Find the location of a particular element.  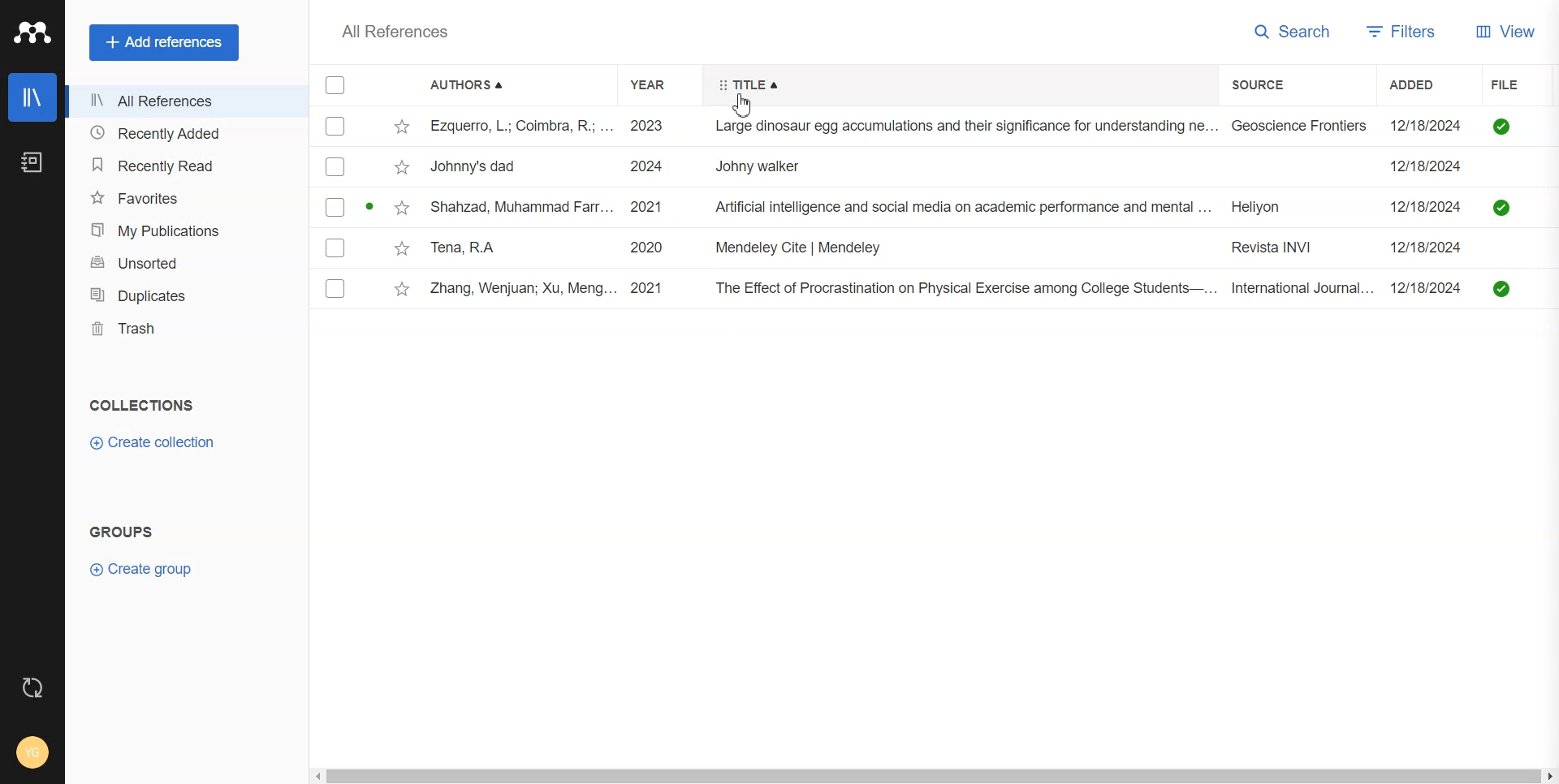

Recently Read is located at coordinates (186, 165).